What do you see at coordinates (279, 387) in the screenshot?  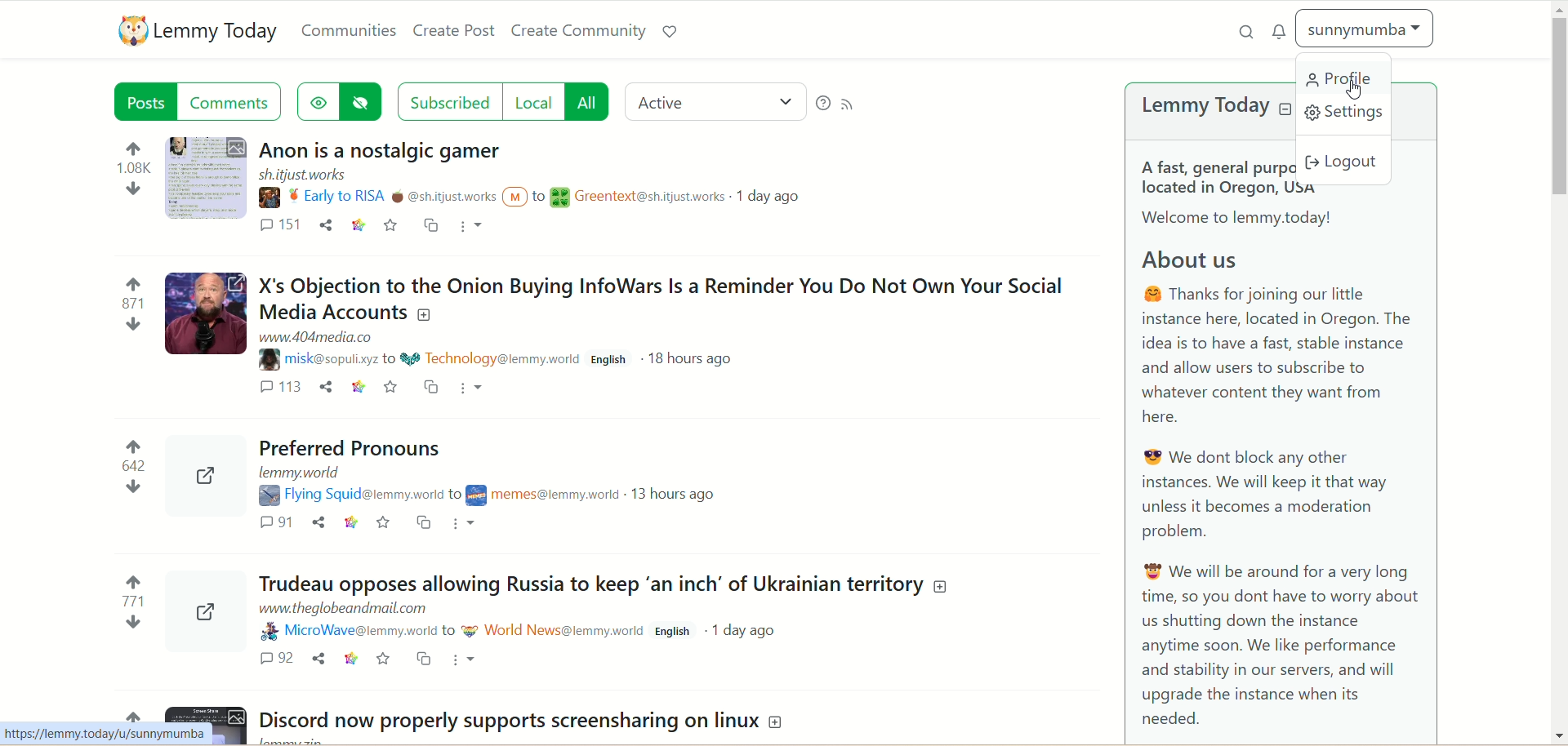 I see `Comments` at bounding box center [279, 387].